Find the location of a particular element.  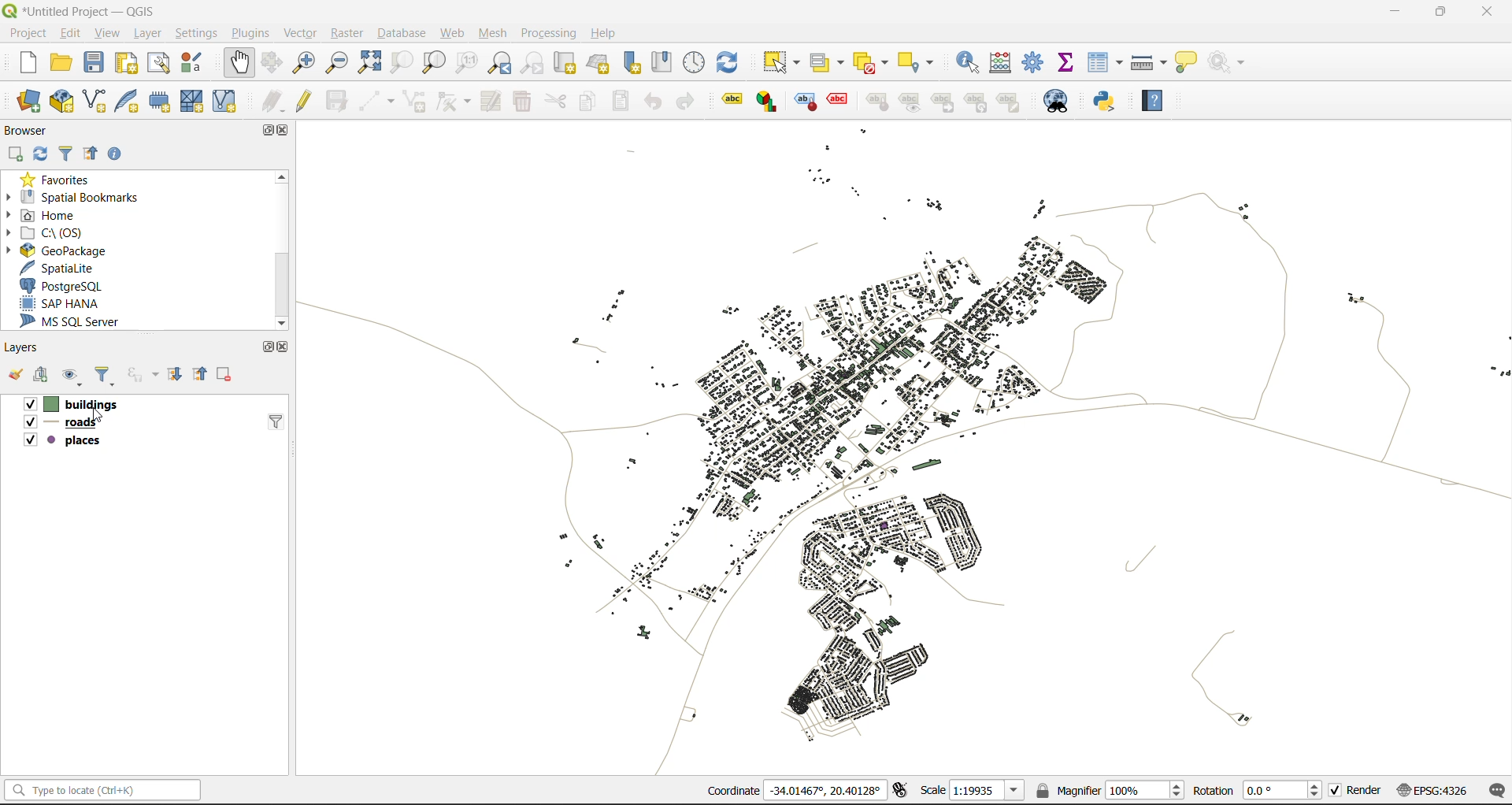

processing is located at coordinates (547, 32).